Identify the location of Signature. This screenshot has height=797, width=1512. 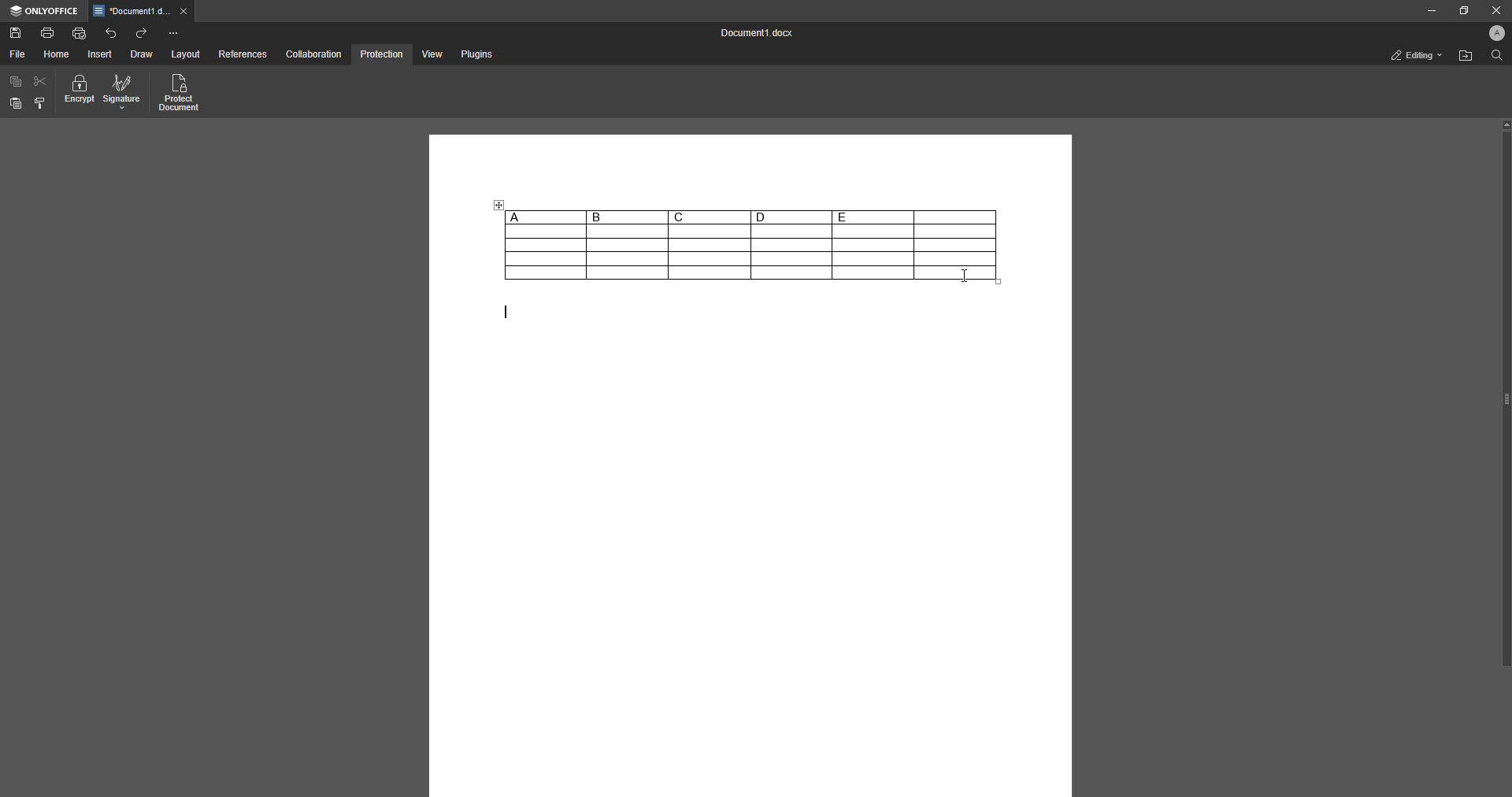
(122, 93).